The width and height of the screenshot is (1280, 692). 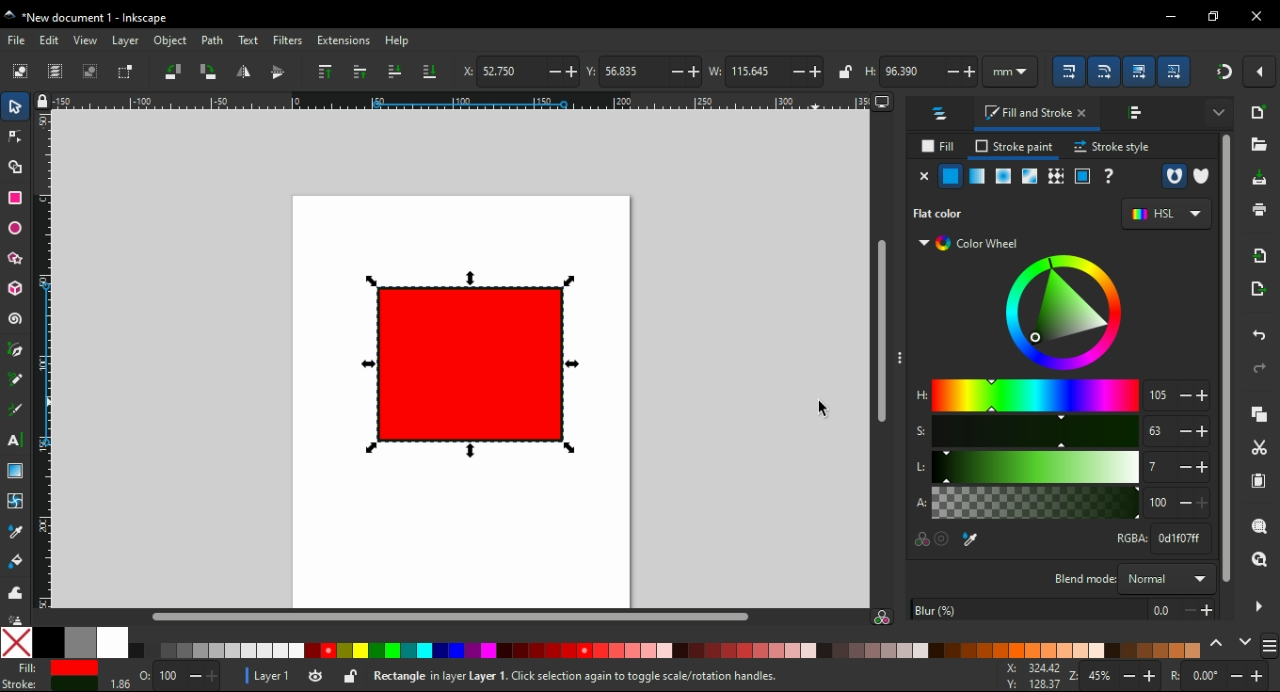 What do you see at coordinates (16, 618) in the screenshot?
I see `paint spray` at bounding box center [16, 618].